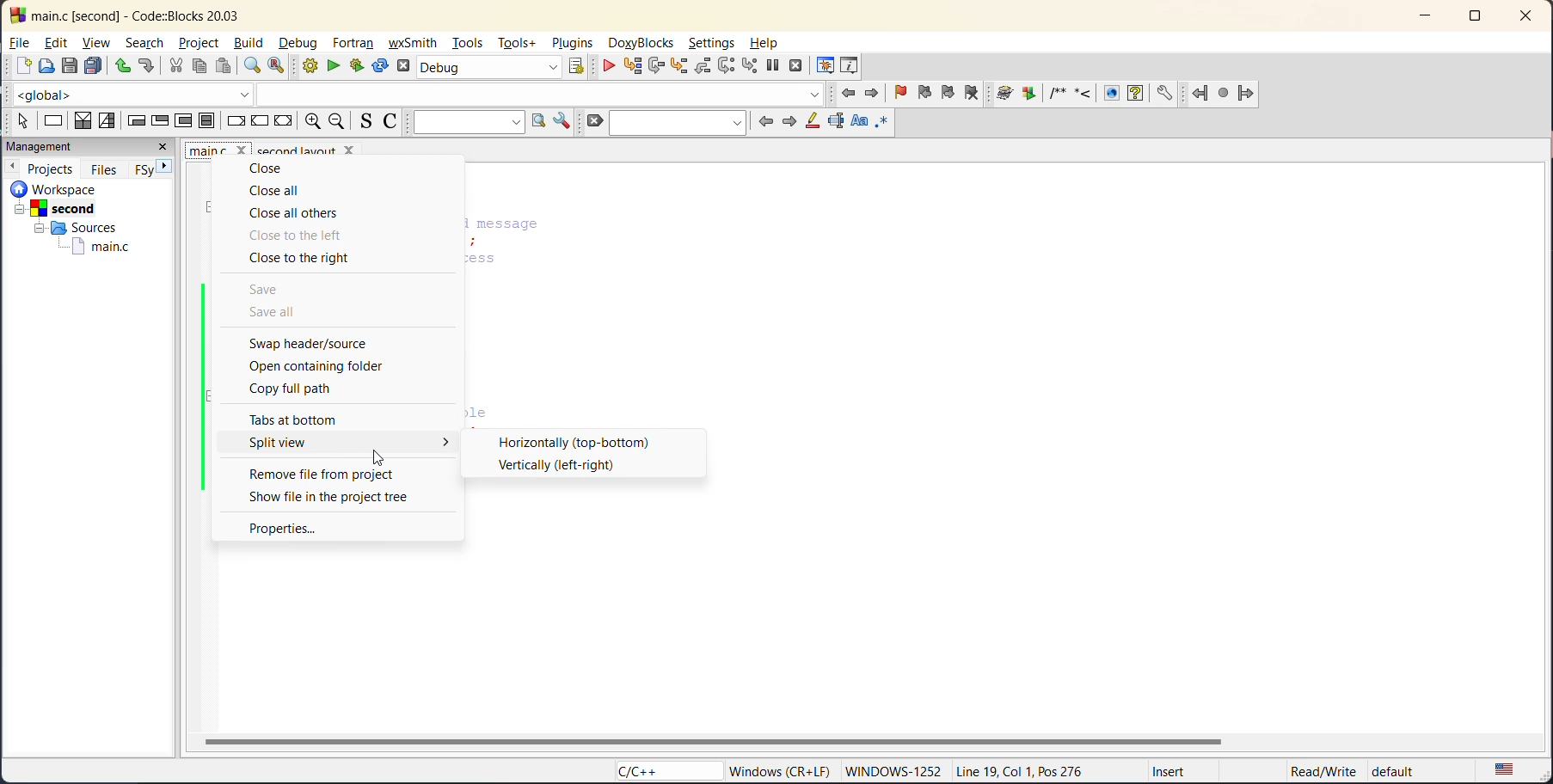 Image resolution: width=1553 pixels, height=784 pixels. I want to click on previous, so click(765, 123).